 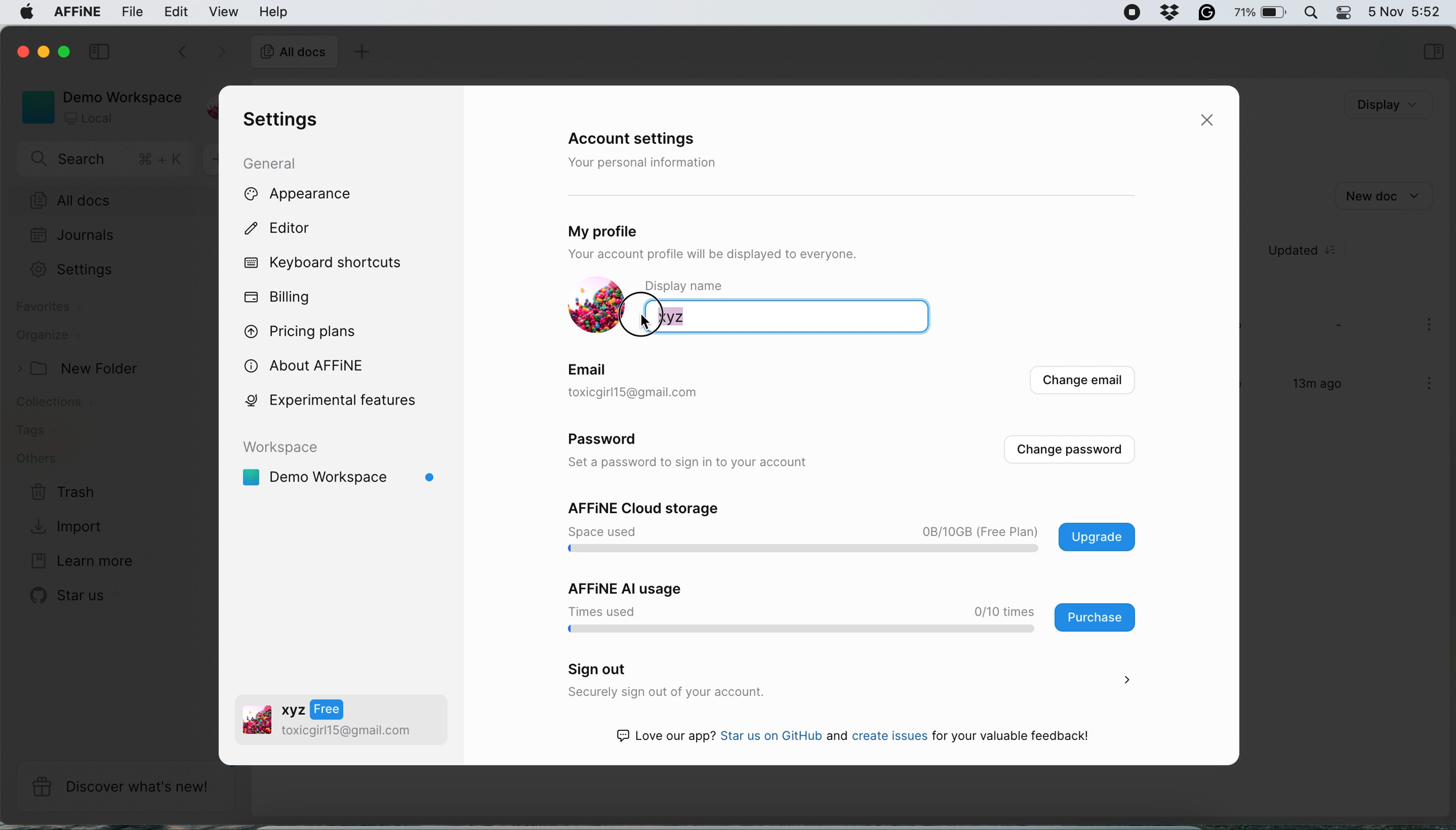 I want to click on toxicgirl1S@gmail.com, so click(x=654, y=393).